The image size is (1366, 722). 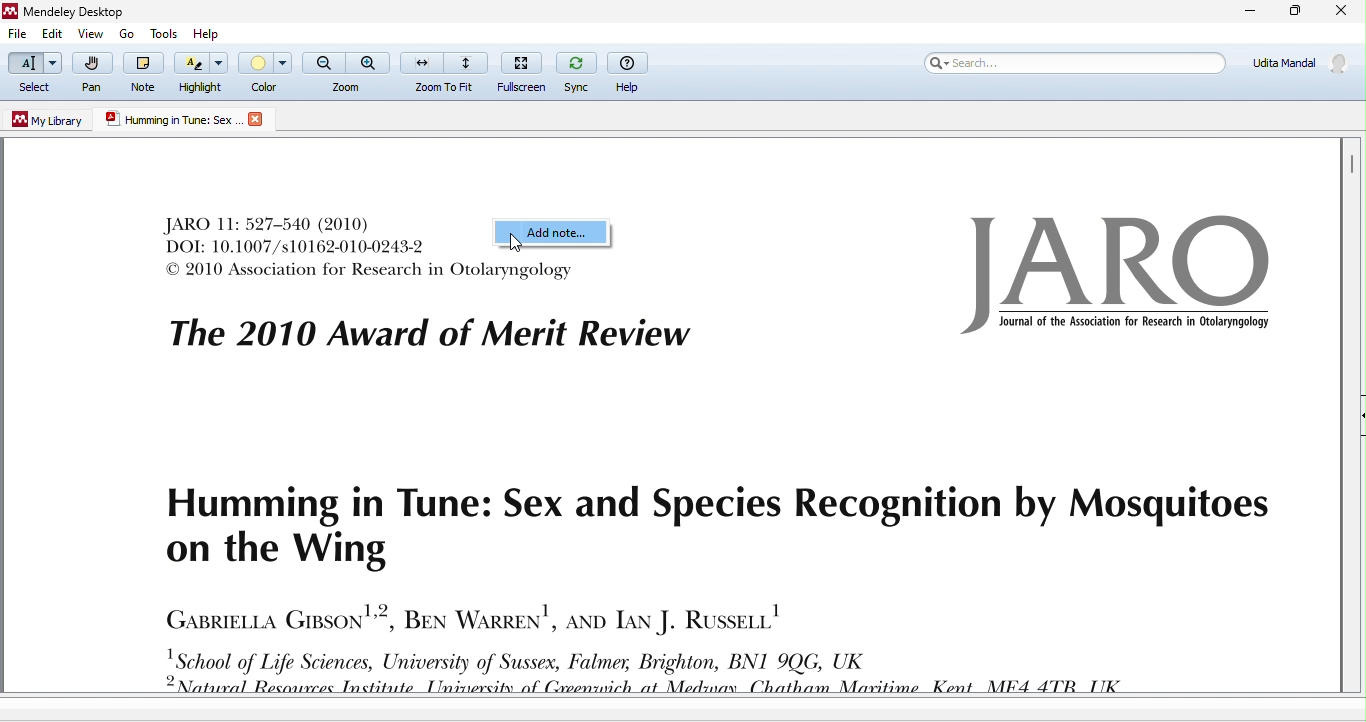 I want to click on close, so click(x=257, y=120).